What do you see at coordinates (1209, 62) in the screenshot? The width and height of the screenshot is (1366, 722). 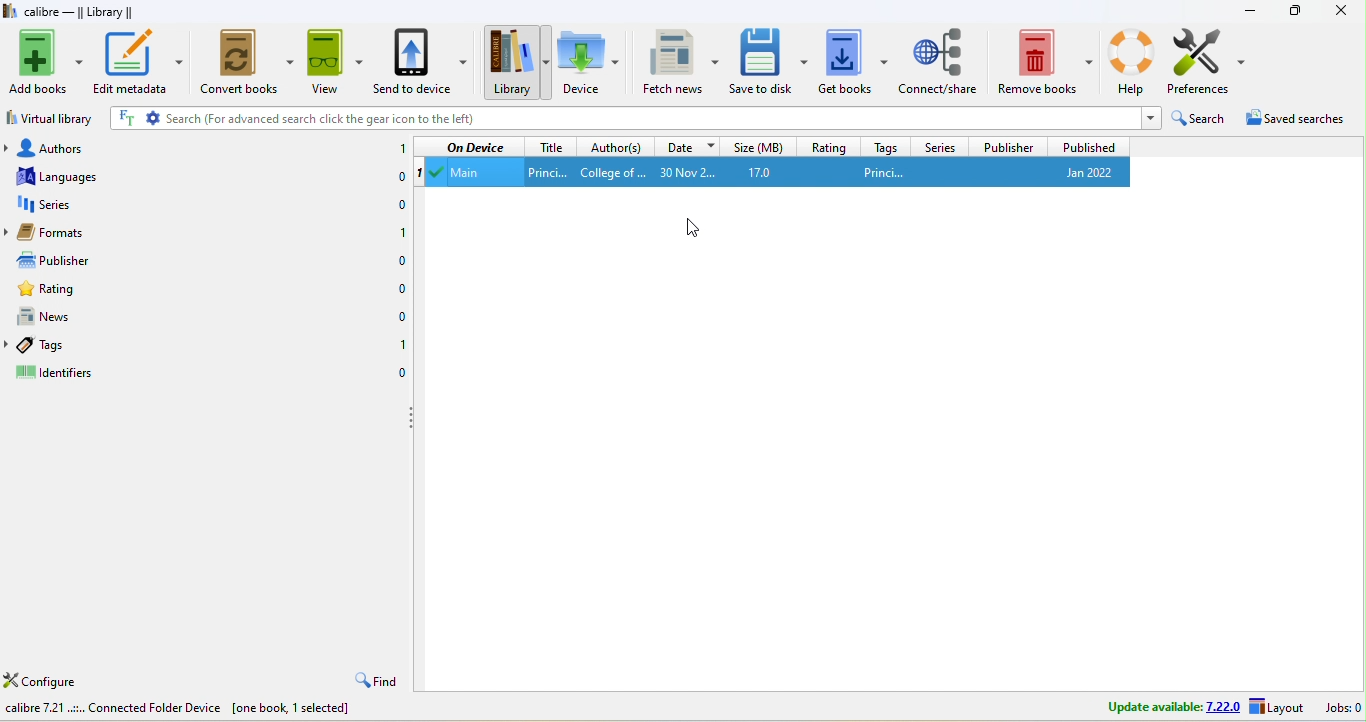 I see `preference` at bounding box center [1209, 62].